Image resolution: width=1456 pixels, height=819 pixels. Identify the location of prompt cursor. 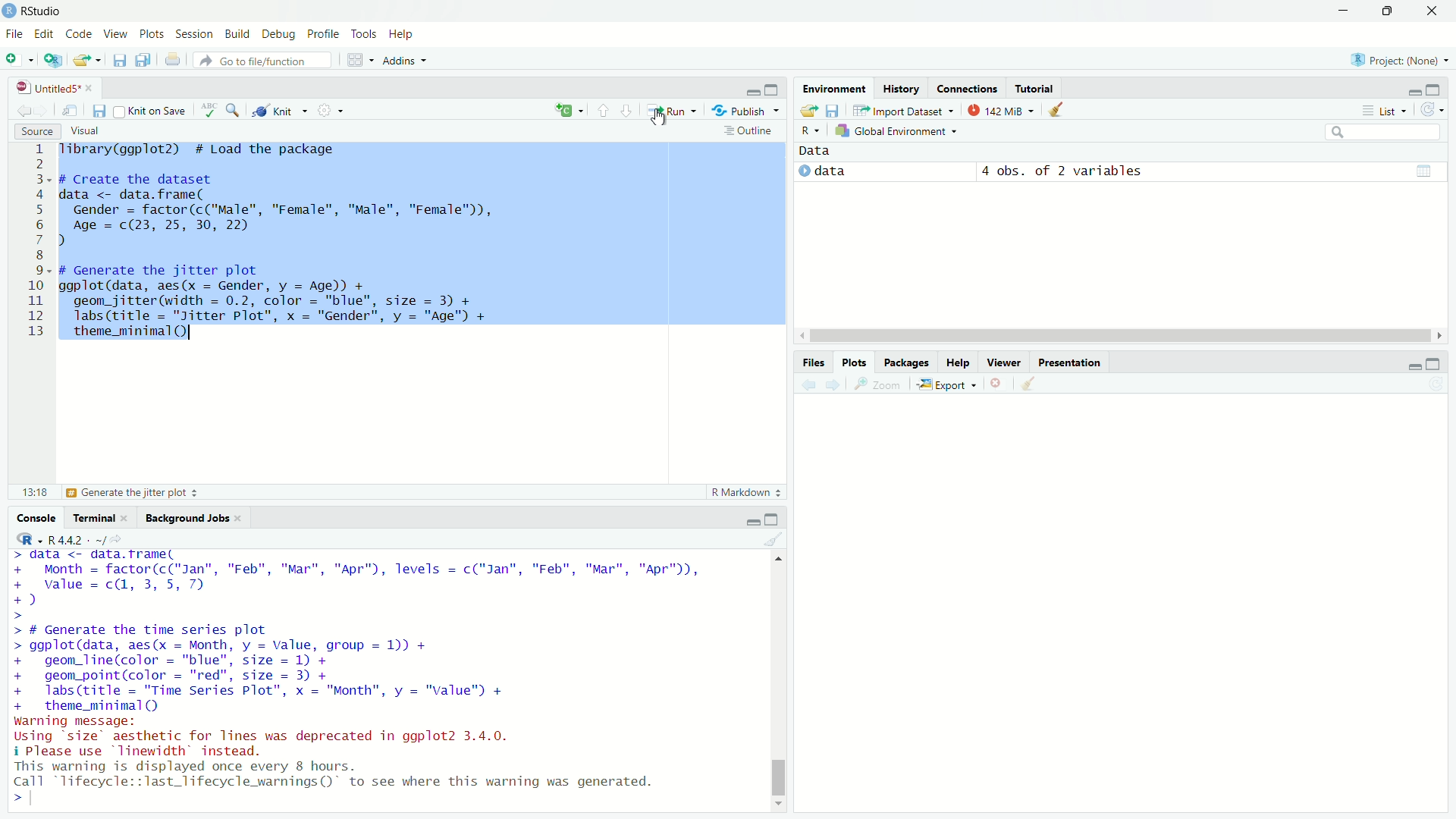
(13, 804).